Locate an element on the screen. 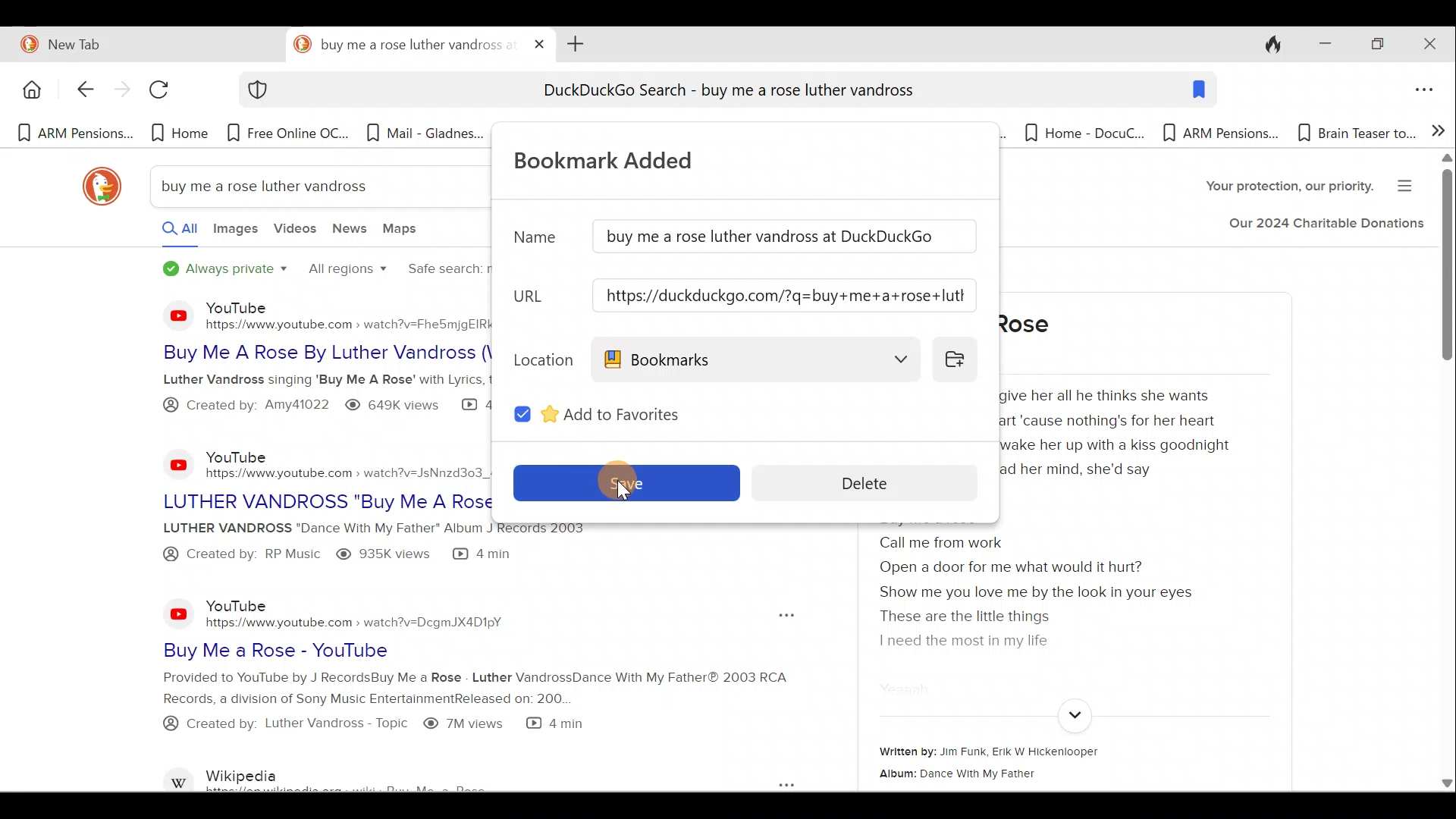  Bookmark 1 is located at coordinates (74, 134).